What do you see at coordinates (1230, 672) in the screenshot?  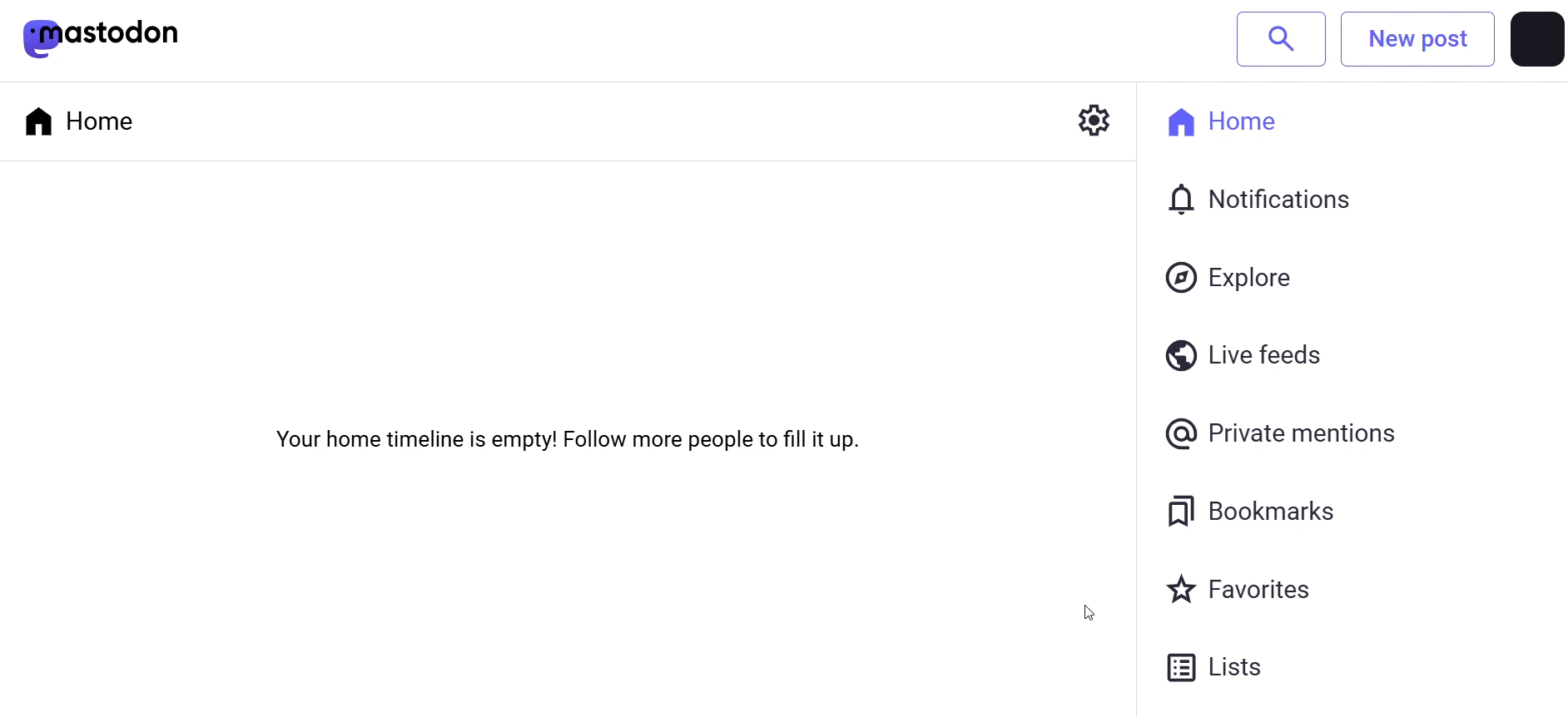 I see `lists` at bounding box center [1230, 672].